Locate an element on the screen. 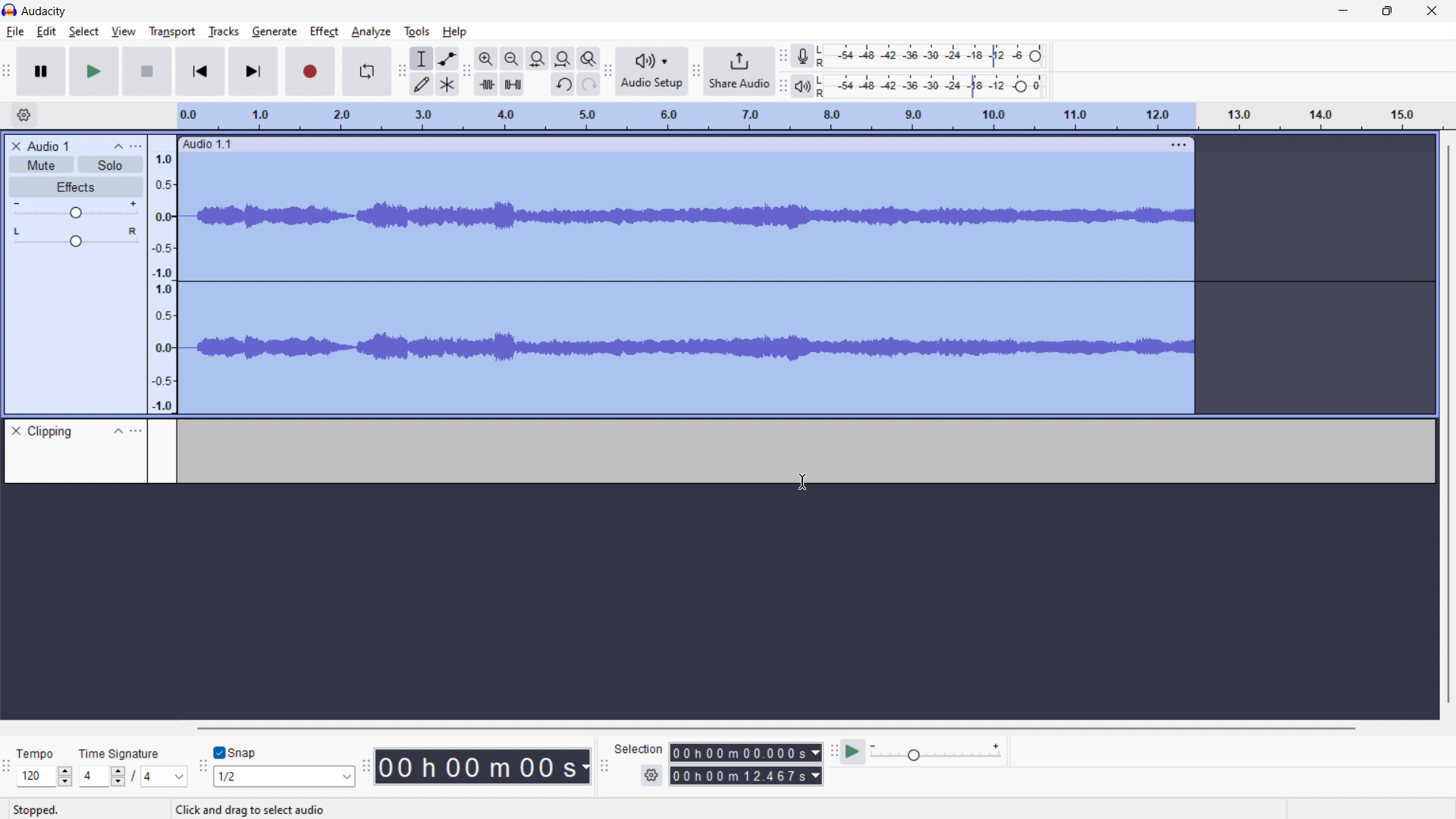 This screenshot has height=819, width=1456. select snapping is located at coordinates (286, 776).